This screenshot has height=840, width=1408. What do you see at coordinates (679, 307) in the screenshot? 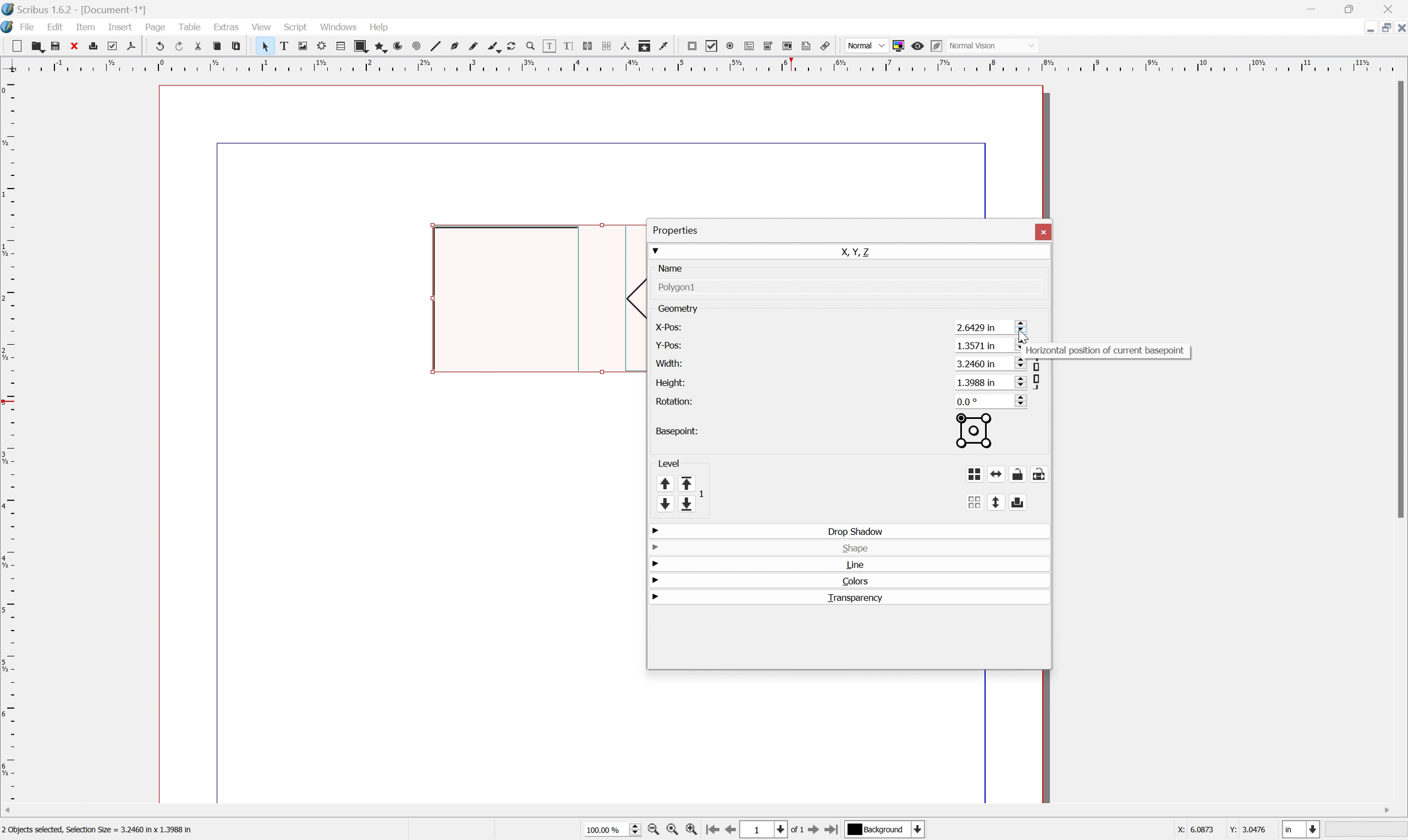
I see `geometry` at bounding box center [679, 307].